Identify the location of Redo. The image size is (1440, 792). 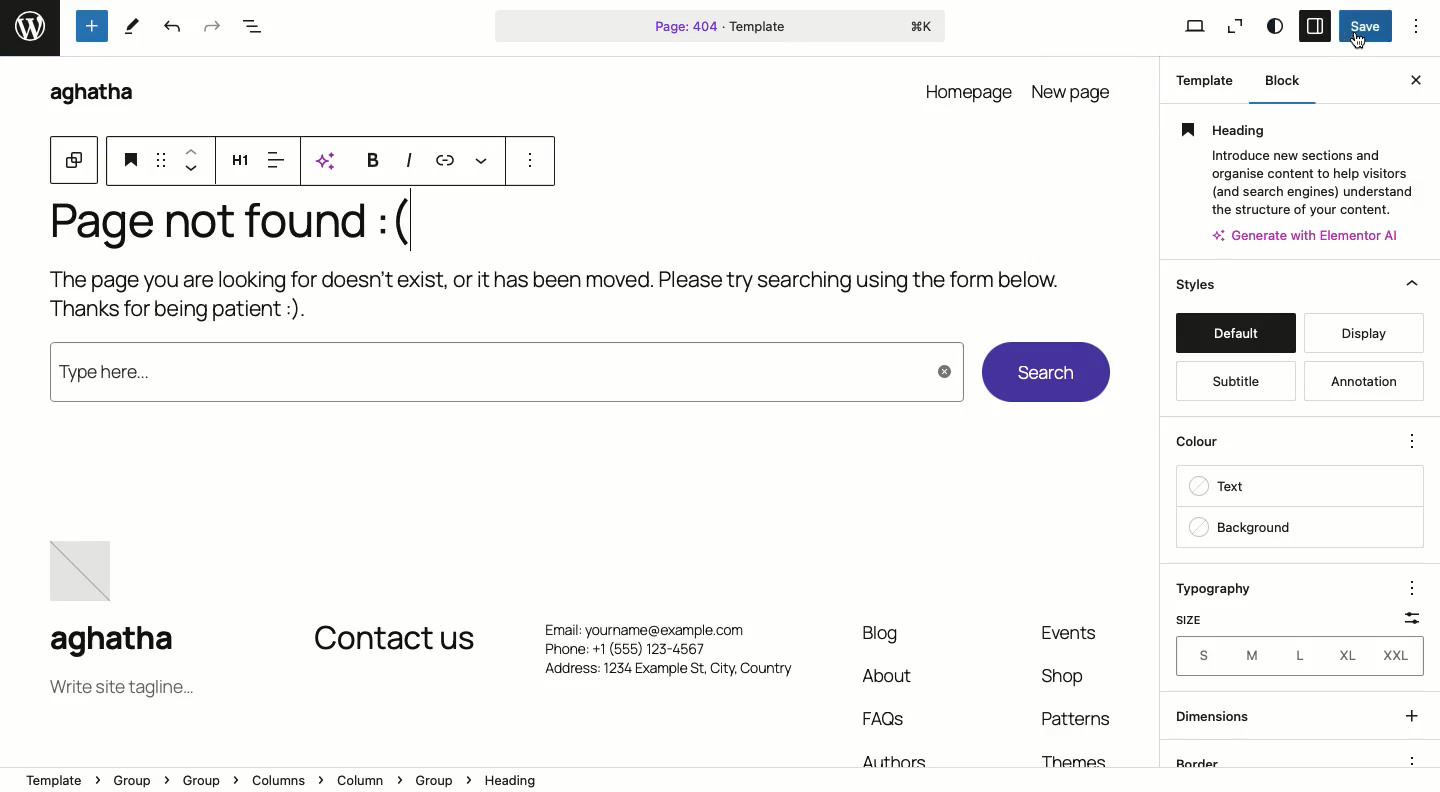
(209, 27).